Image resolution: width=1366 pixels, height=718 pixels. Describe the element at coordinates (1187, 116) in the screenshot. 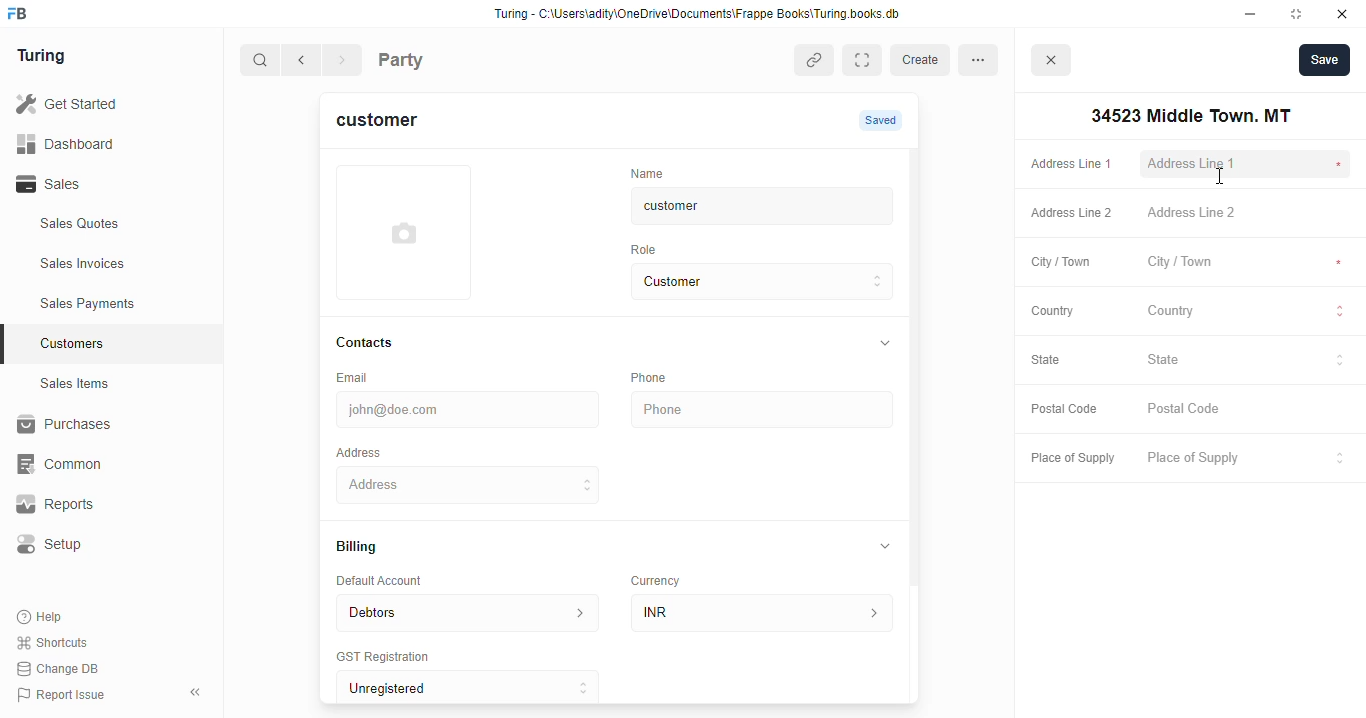

I see `34523 Middle Town. MT` at that location.